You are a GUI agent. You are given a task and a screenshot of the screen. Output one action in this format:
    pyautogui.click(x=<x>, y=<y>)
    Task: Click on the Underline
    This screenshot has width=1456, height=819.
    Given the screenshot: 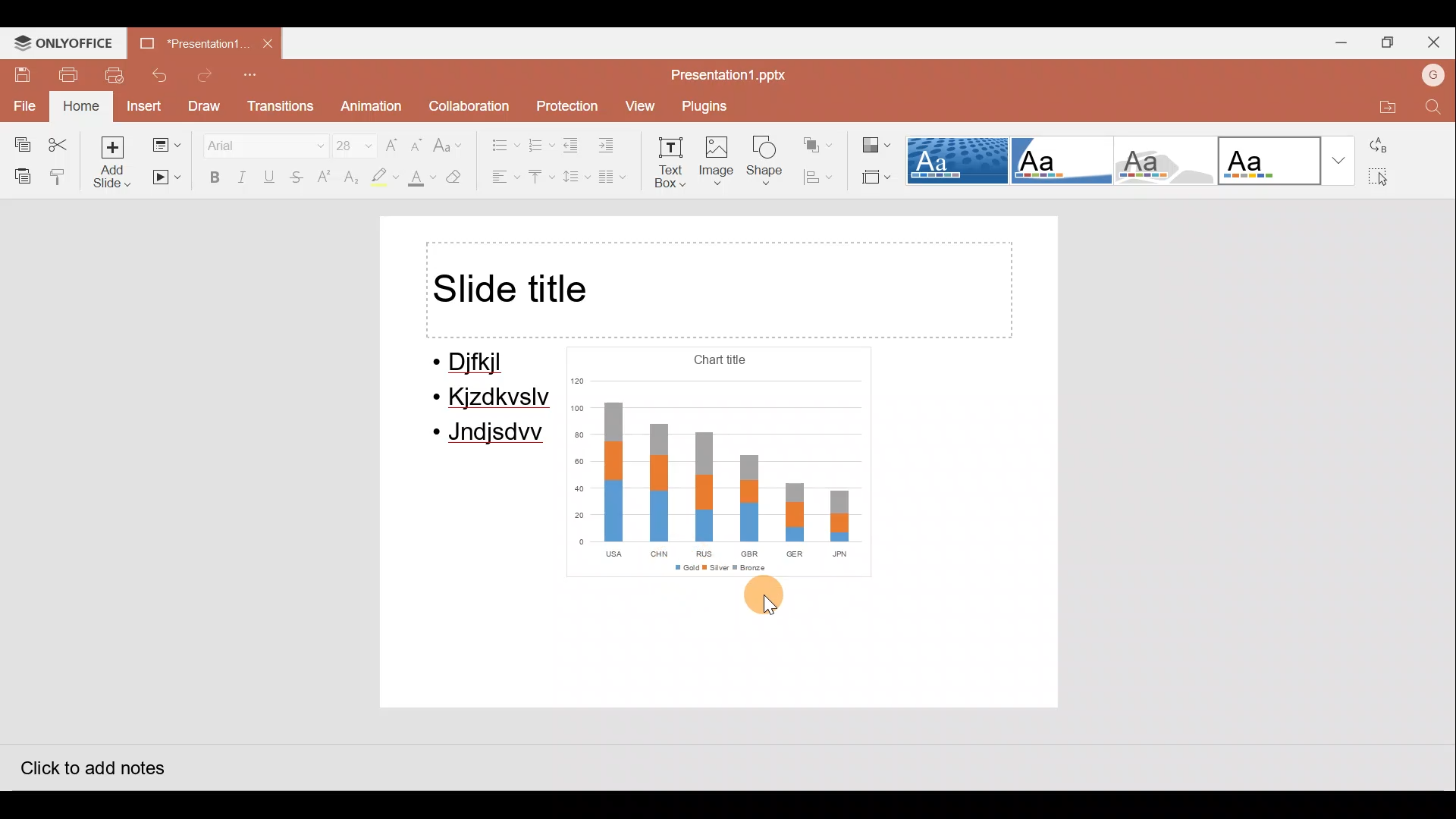 What is the action you would take?
    pyautogui.click(x=272, y=177)
    